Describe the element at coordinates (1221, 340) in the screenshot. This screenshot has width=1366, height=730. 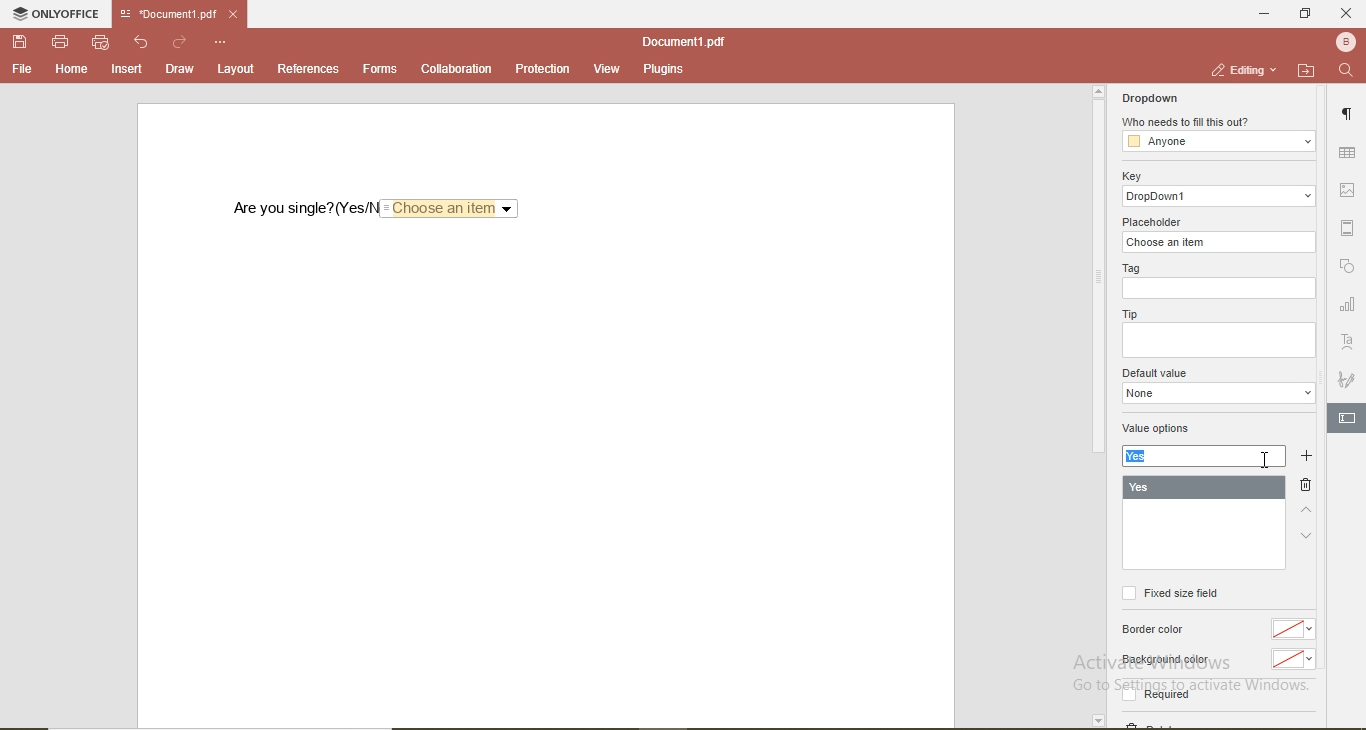
I see `empty box` at that location.